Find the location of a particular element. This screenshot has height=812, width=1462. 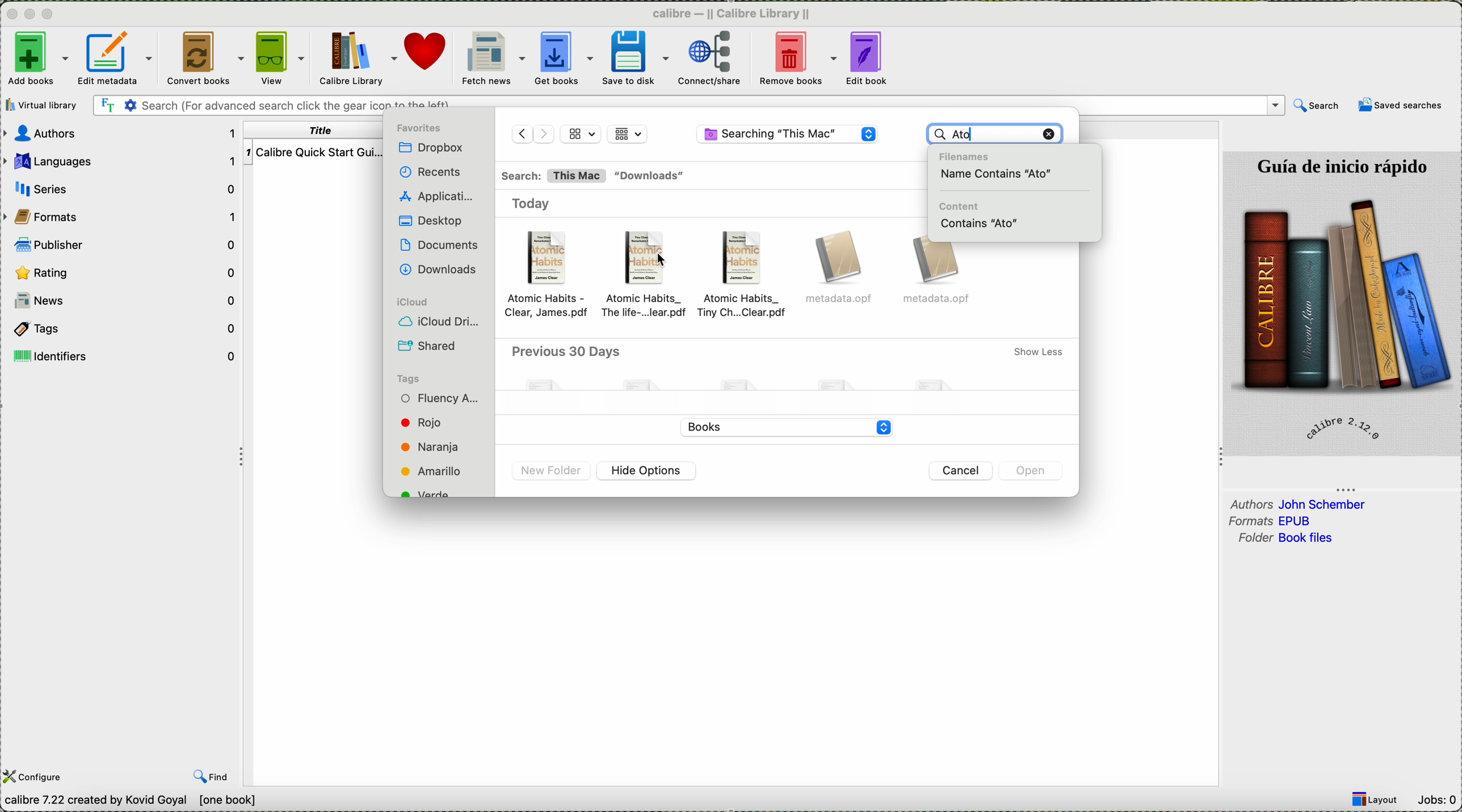

remove is located at coordinates (1050, 133).